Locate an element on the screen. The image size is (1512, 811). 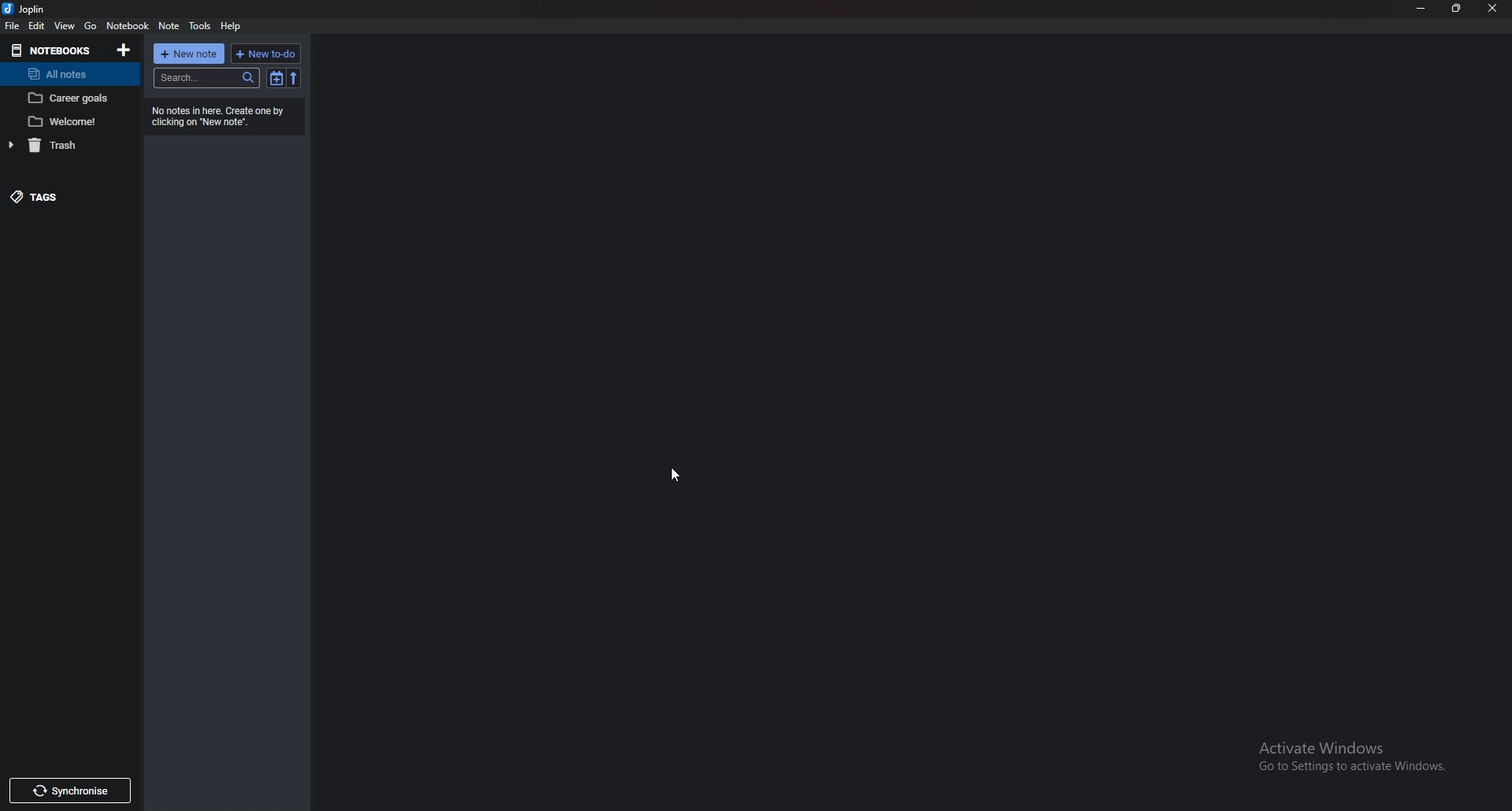
go is located at coordinates (89, 26).